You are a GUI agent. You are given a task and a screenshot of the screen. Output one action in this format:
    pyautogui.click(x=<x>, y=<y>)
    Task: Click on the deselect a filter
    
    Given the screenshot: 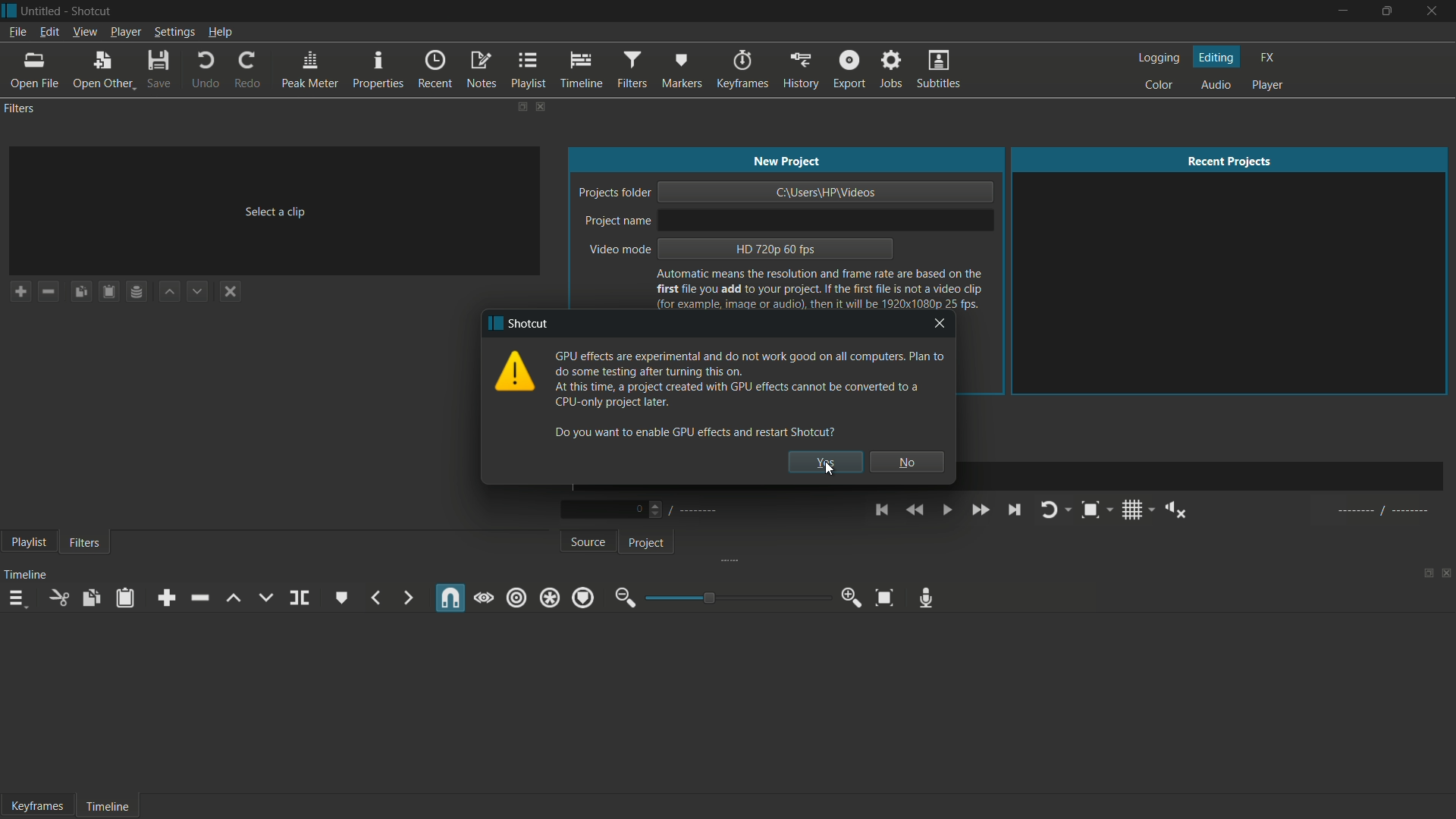 What is the action you would take?
    pyautogui.click(x=232, y=291)
    